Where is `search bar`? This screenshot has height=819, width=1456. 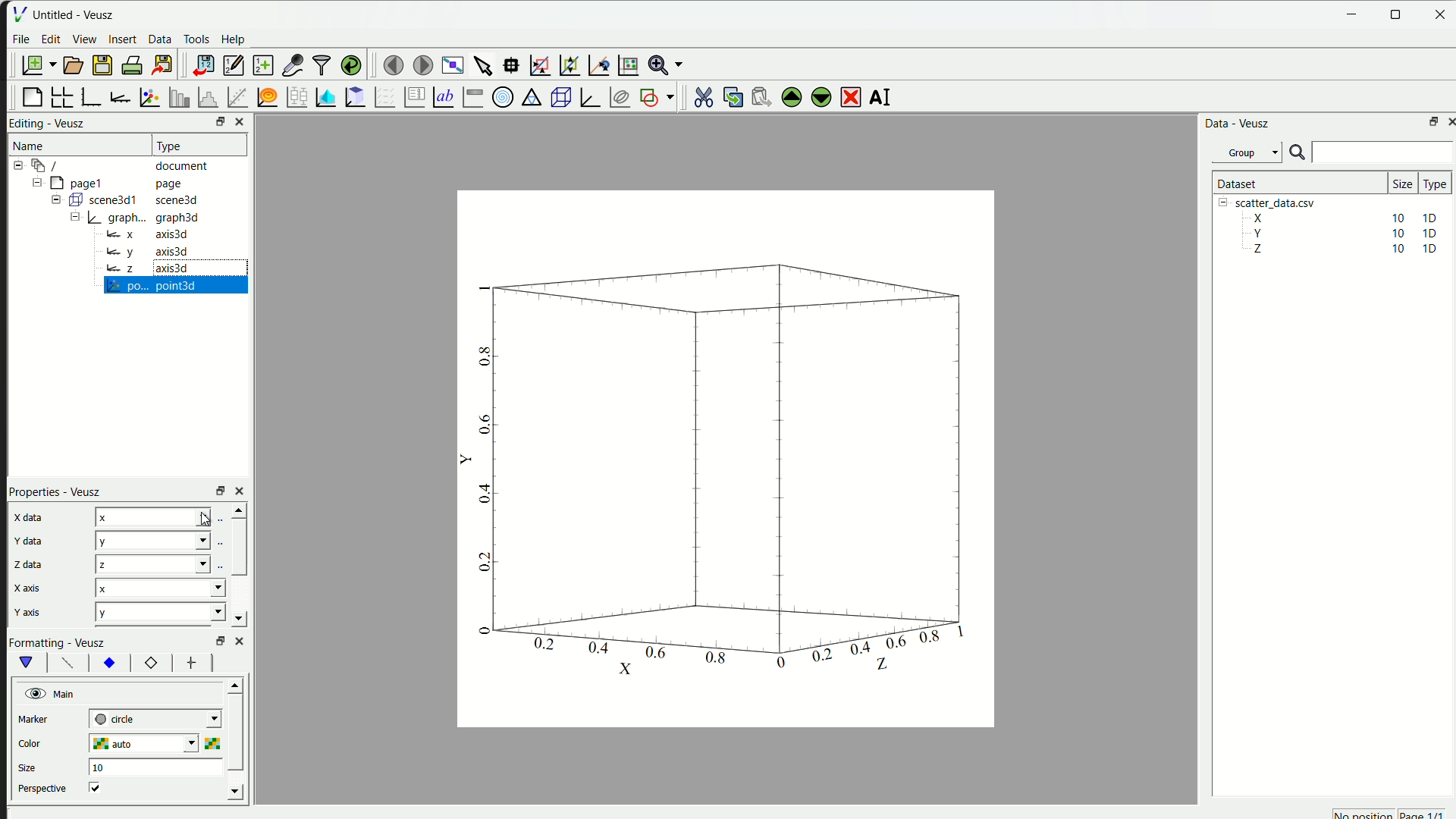
search bar is located at coordinates (1385, 152).